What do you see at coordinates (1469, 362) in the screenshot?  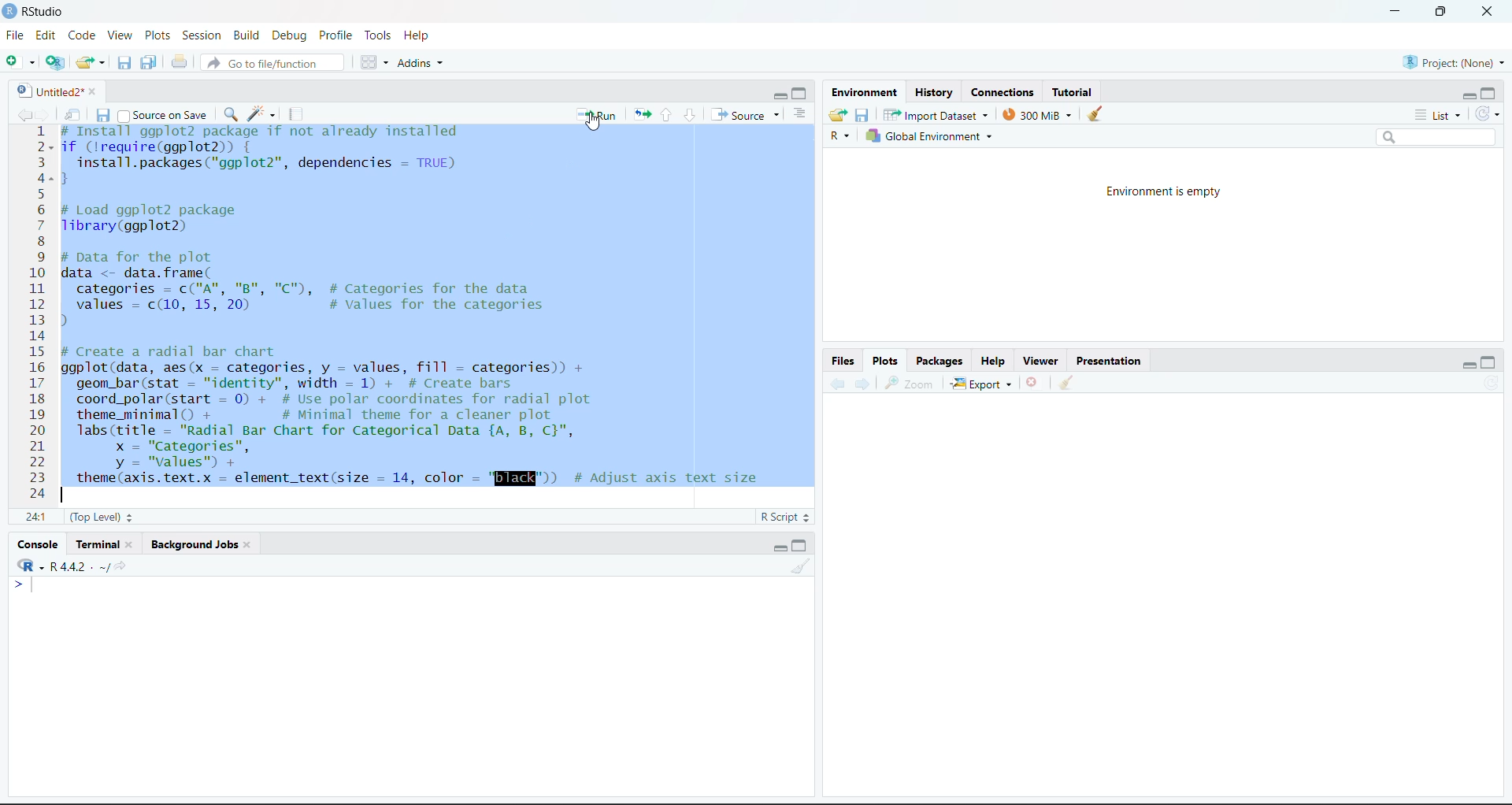 I see `hide r script` at bounding box center [1469, 362].